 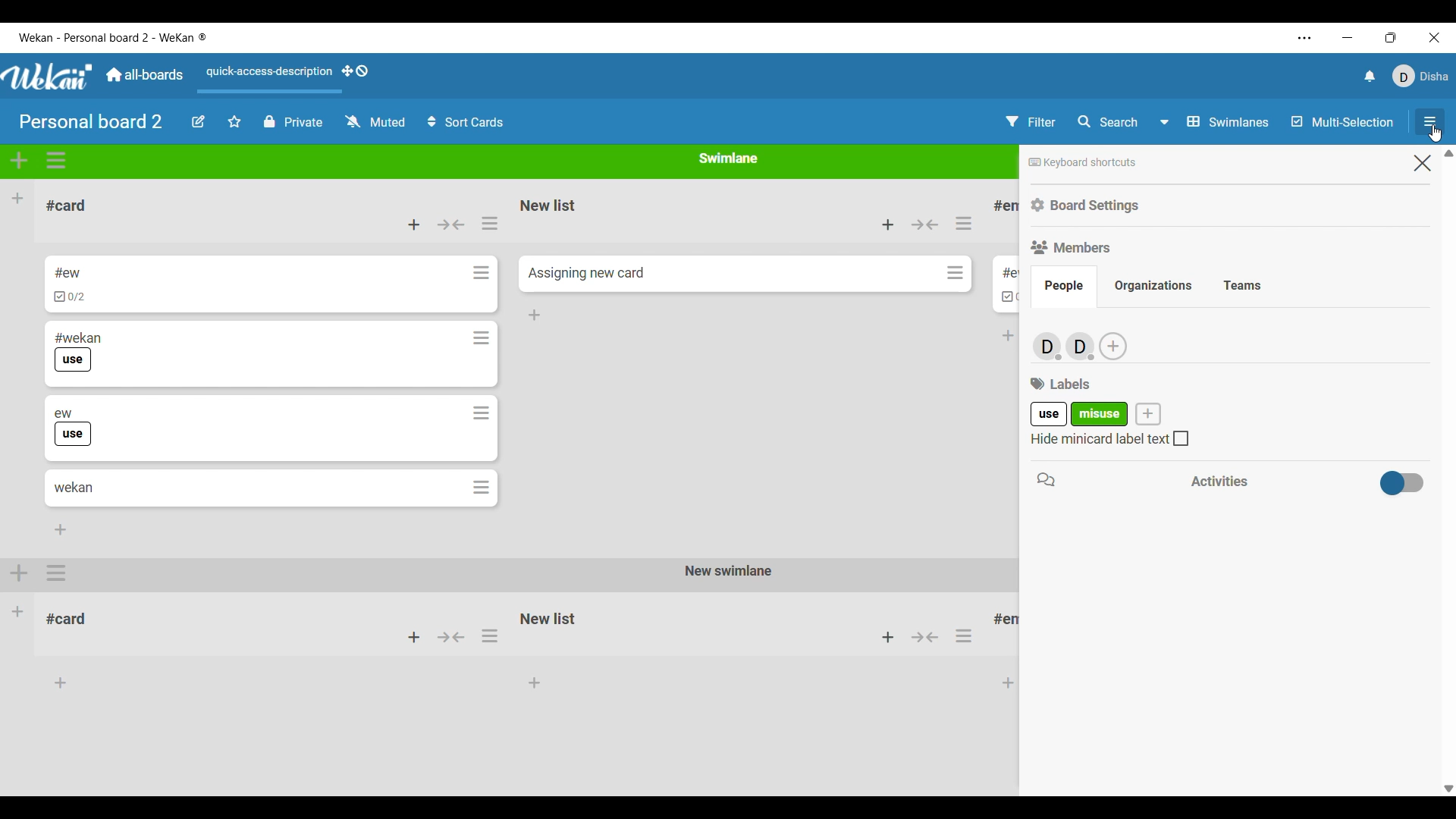 I want to click on Current account, so click(x=1421, y=77).